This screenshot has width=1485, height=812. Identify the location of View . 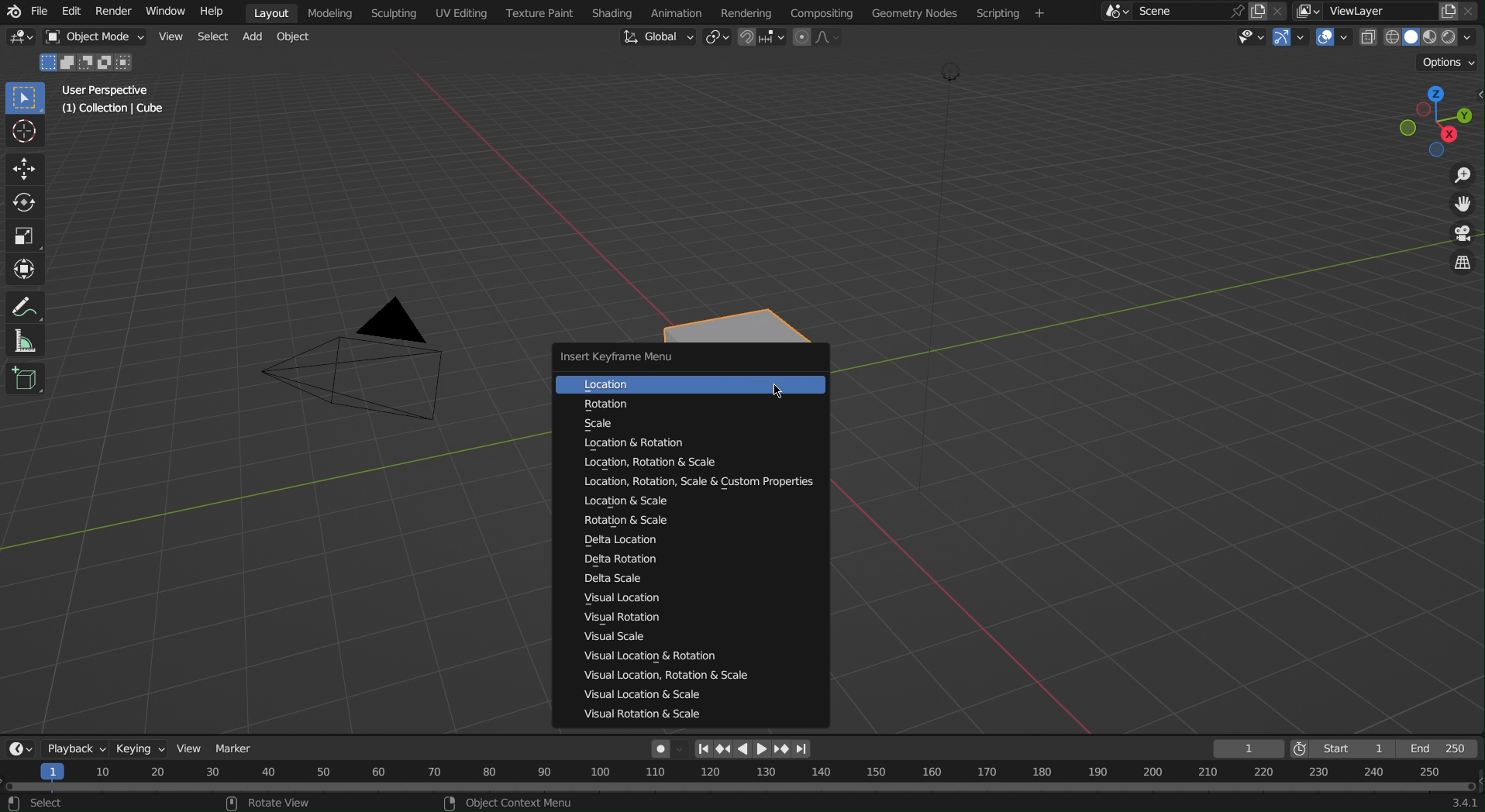
(169, 36).